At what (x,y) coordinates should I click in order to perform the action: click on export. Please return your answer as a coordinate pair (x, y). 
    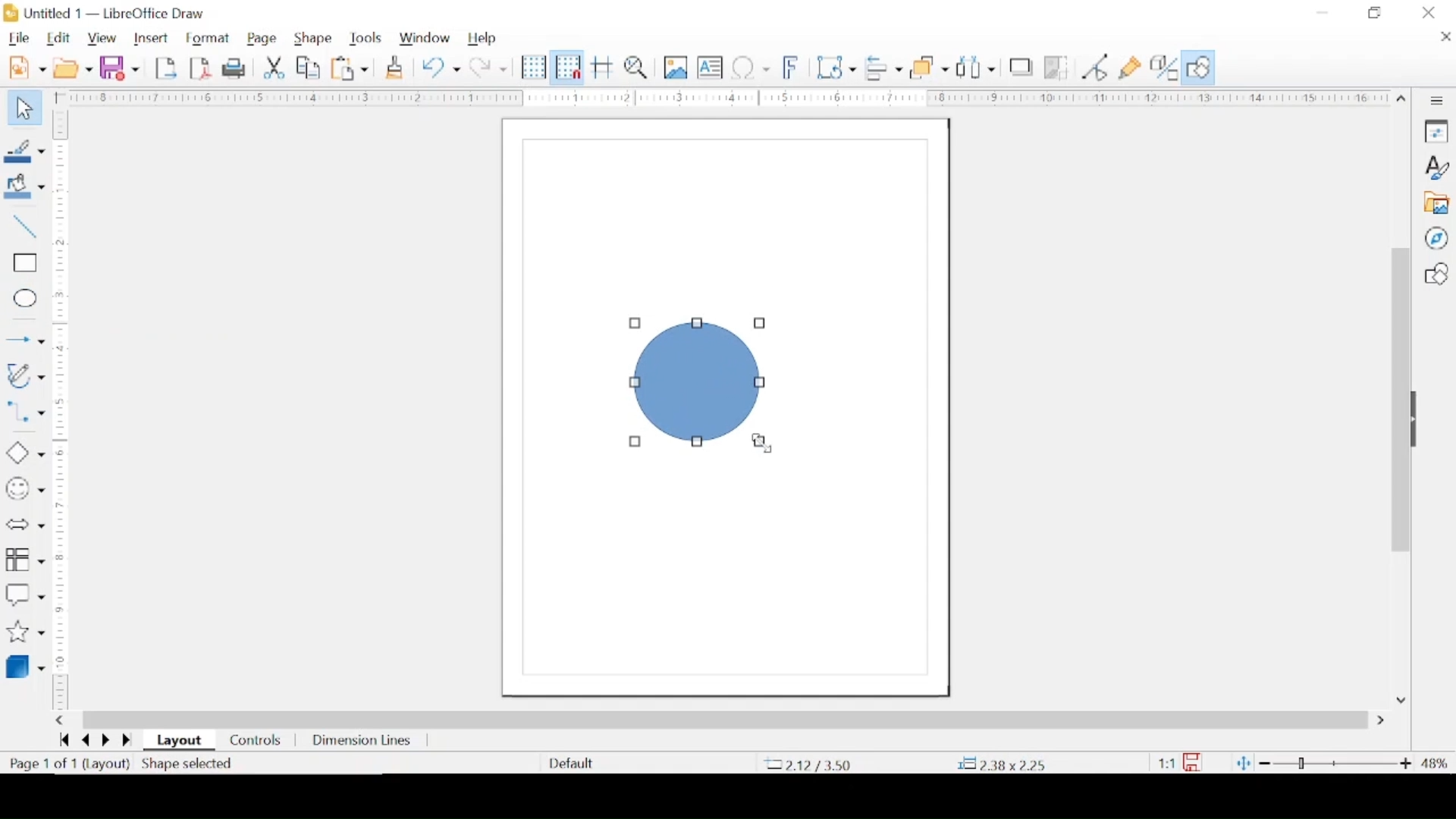
    Looking at the image, I should click on (168, 67).